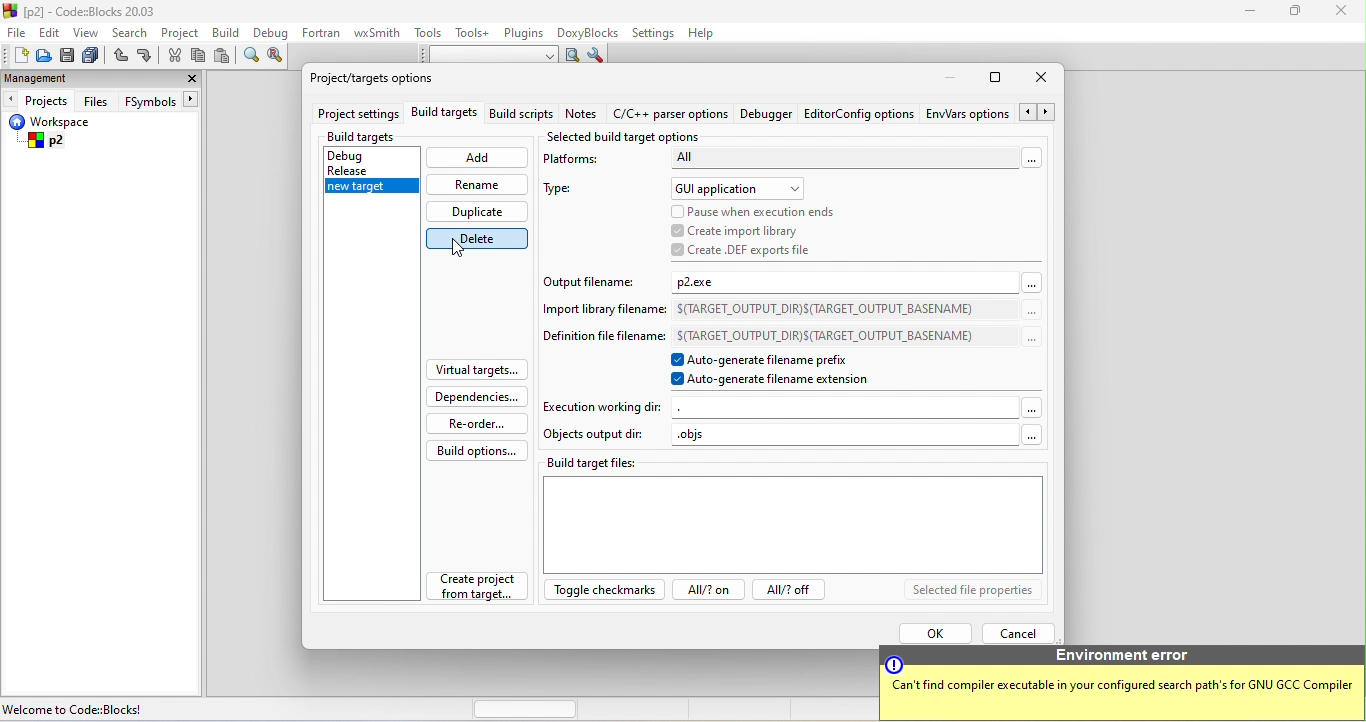 The width and height of the screenshot is (1366, 722). I want to click on cursor movement, so click(461, 249).